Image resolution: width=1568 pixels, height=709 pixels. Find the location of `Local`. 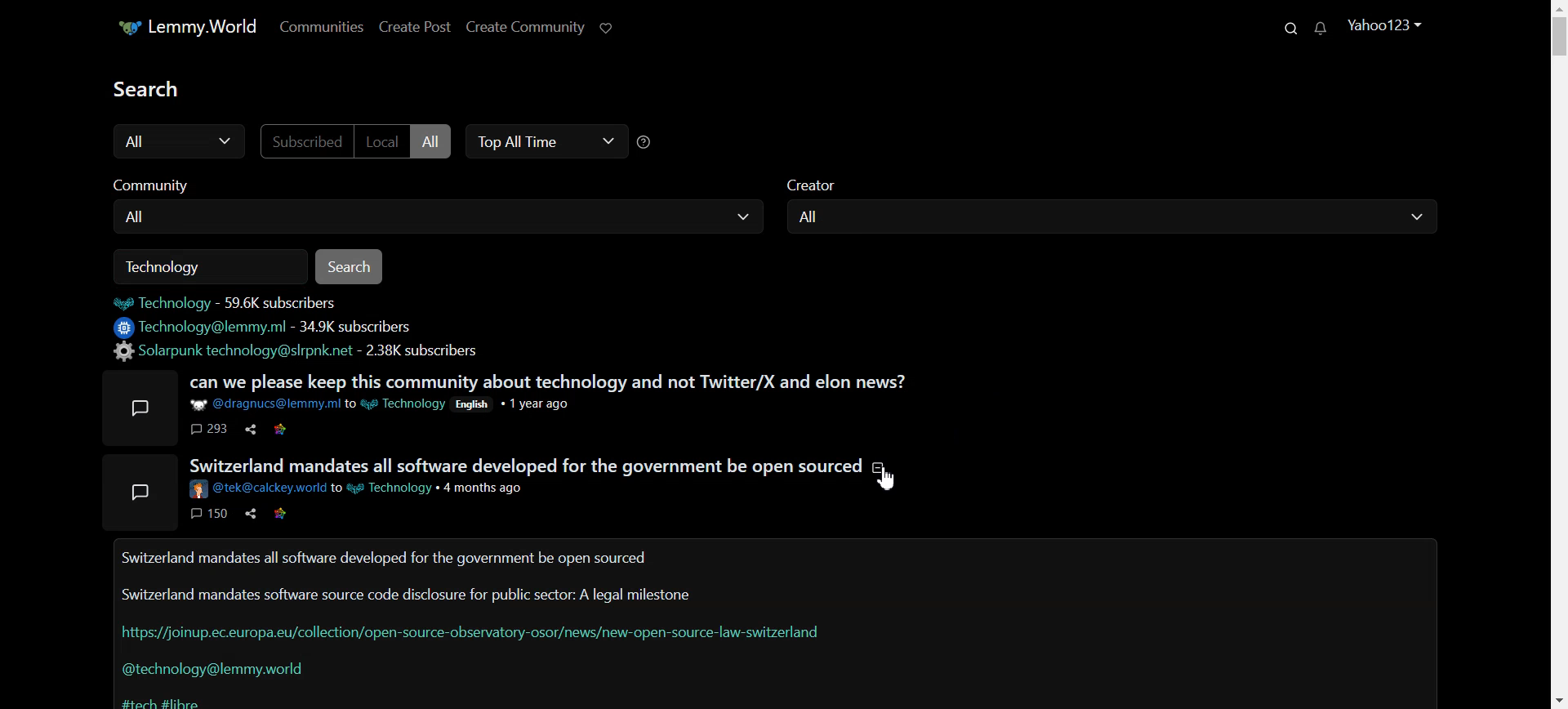

Local is located at coordinates (385, 141).